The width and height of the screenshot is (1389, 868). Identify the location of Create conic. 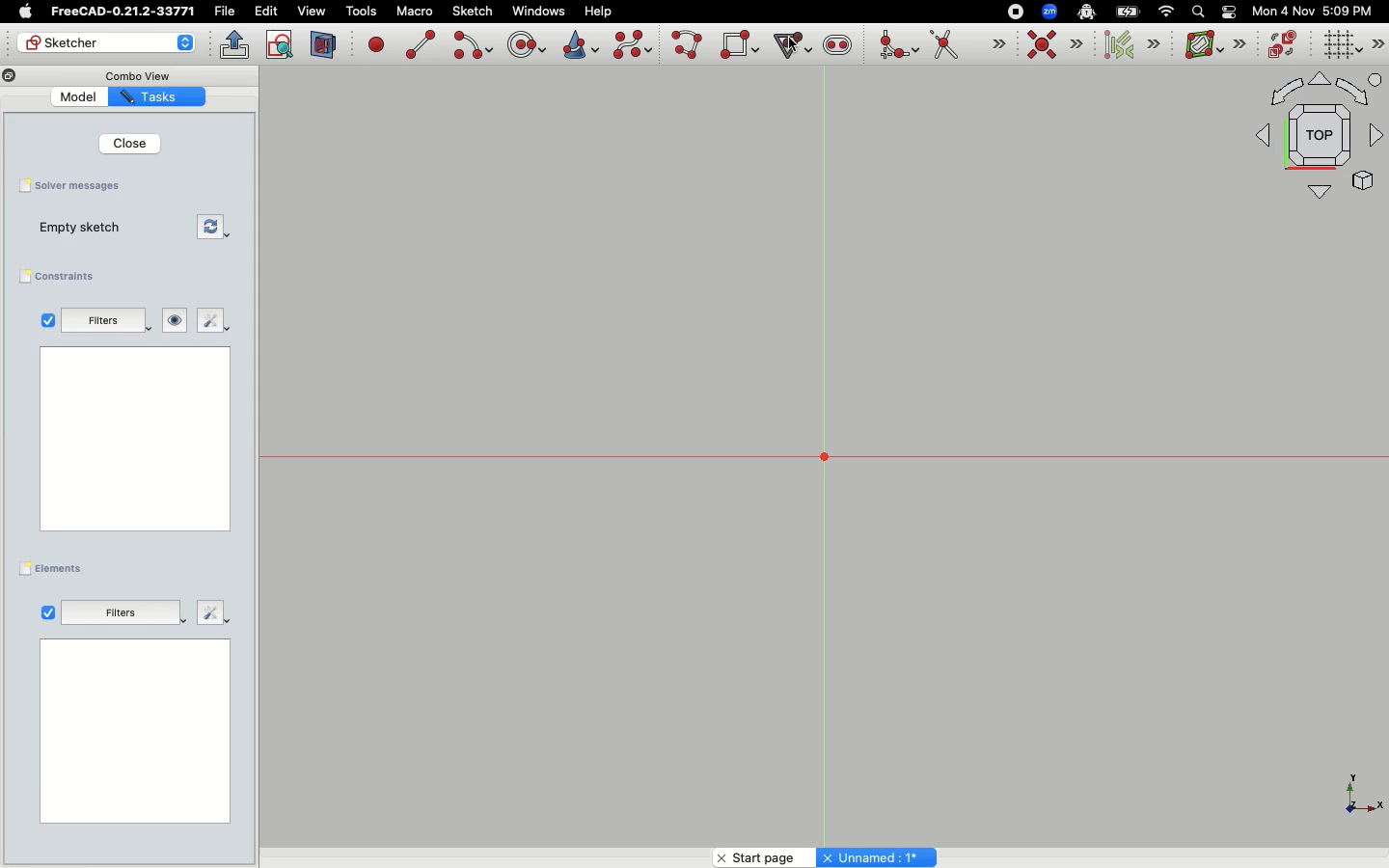
(579, 43).